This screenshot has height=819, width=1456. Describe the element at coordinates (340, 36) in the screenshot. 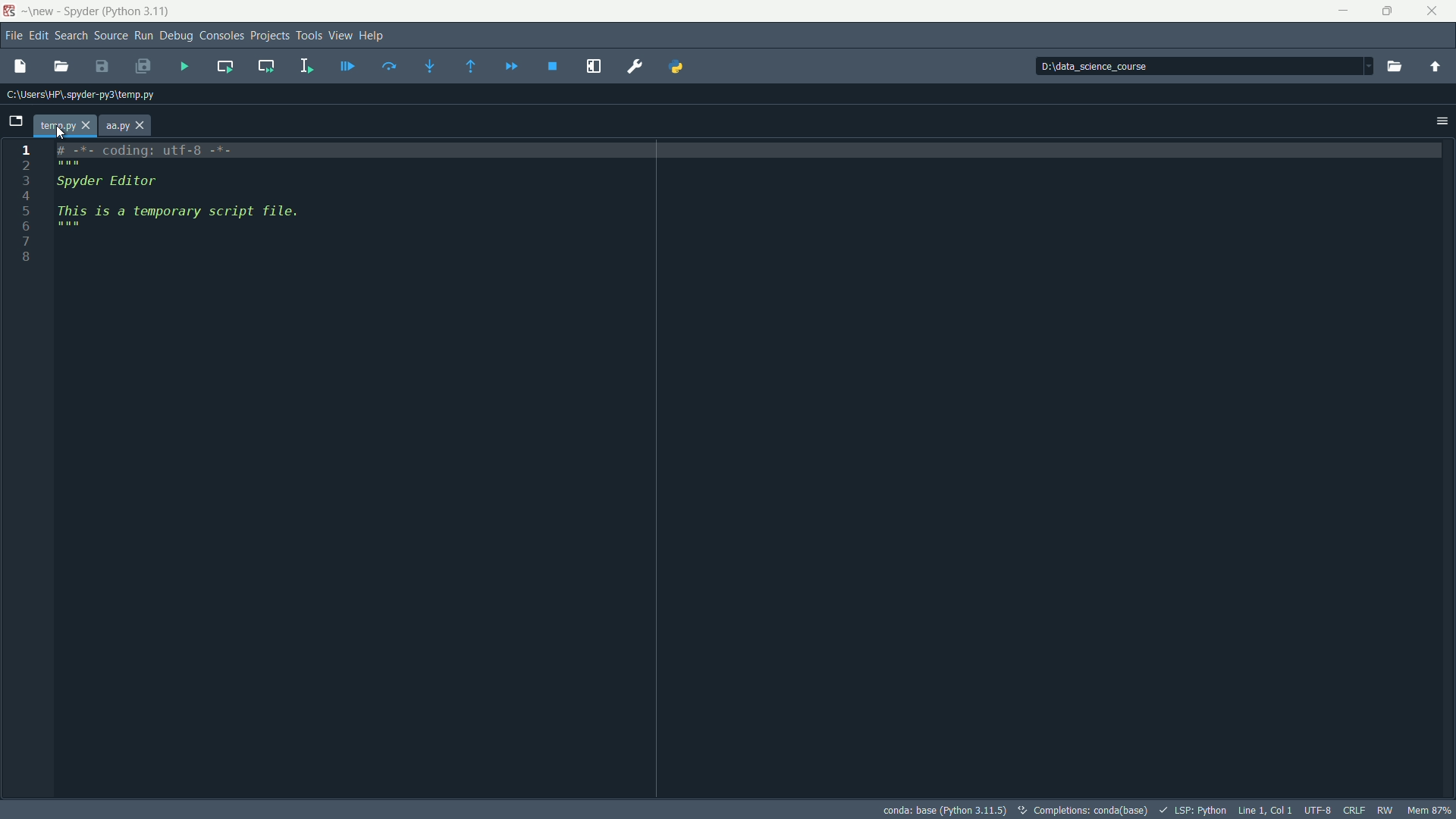

I see `view menu` at that location.